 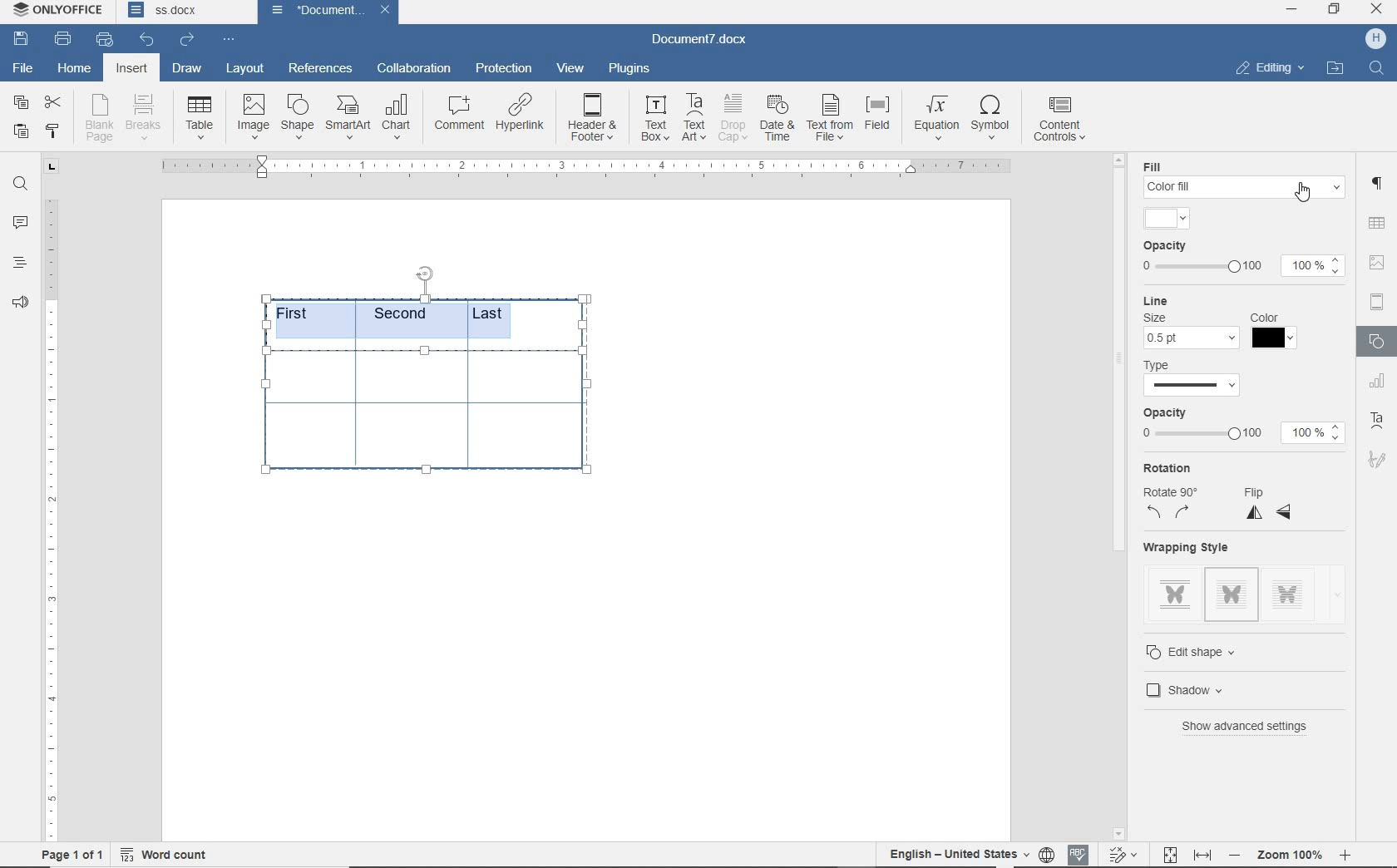 What do you see at coordinates (1245, 186) in the screenshot?
I see `color fill` at bounding box center [1245, 186].